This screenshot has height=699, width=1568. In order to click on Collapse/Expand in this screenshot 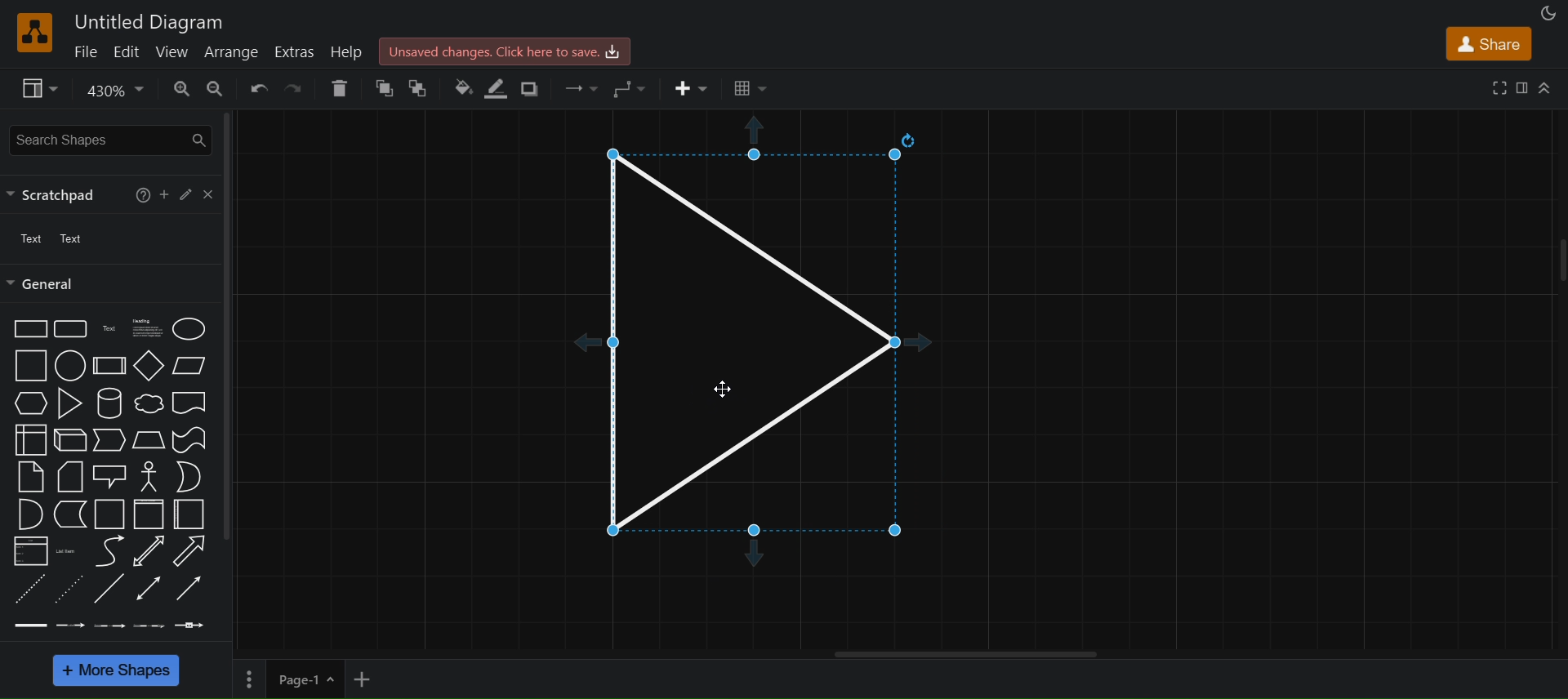, I will do `click(1545, 87)`.